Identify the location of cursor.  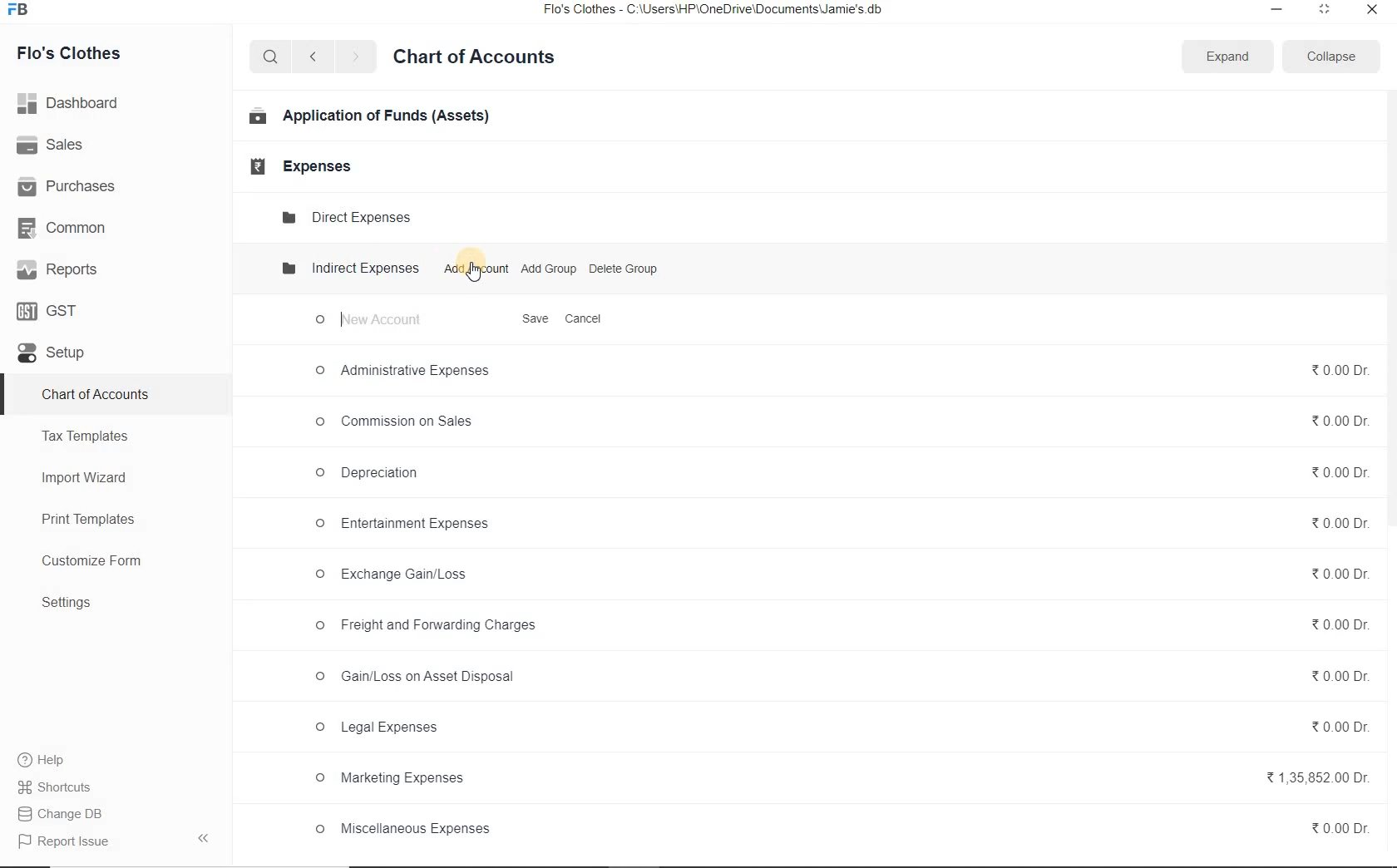
(475, 271).